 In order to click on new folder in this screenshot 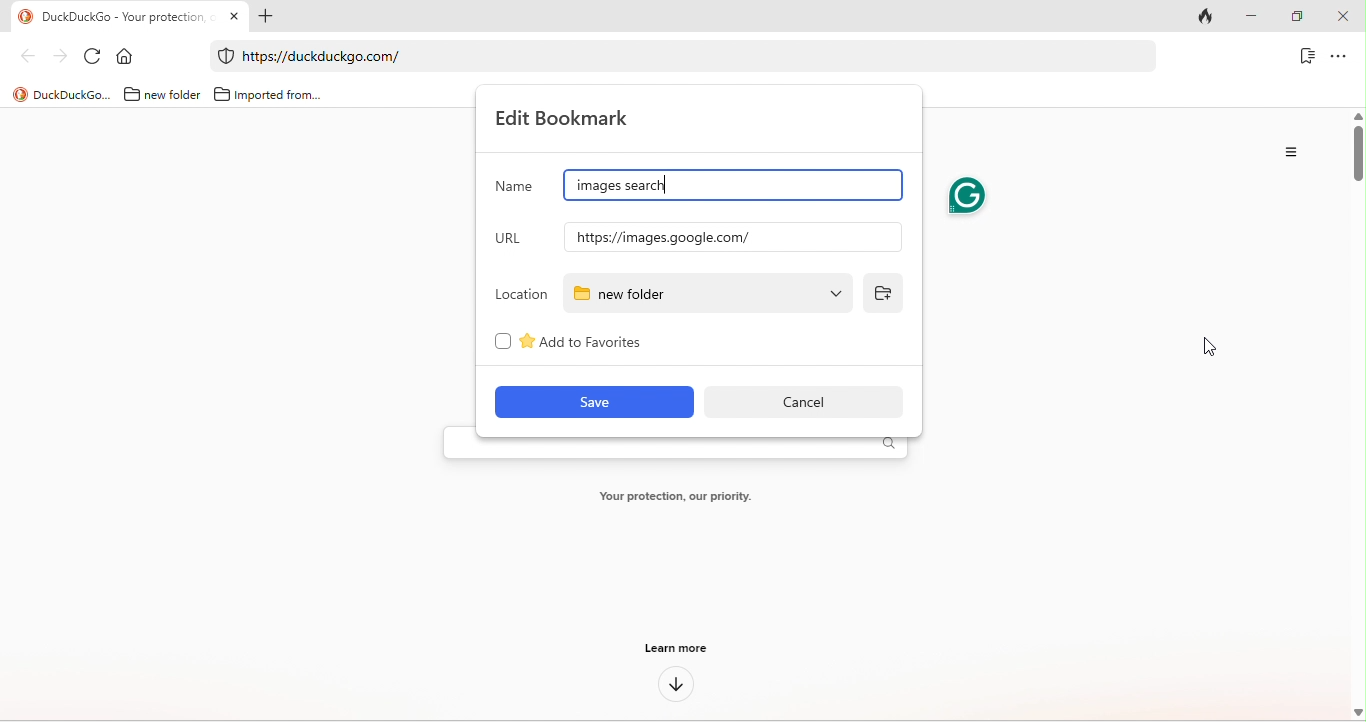, I will do `click(703, 290)`.